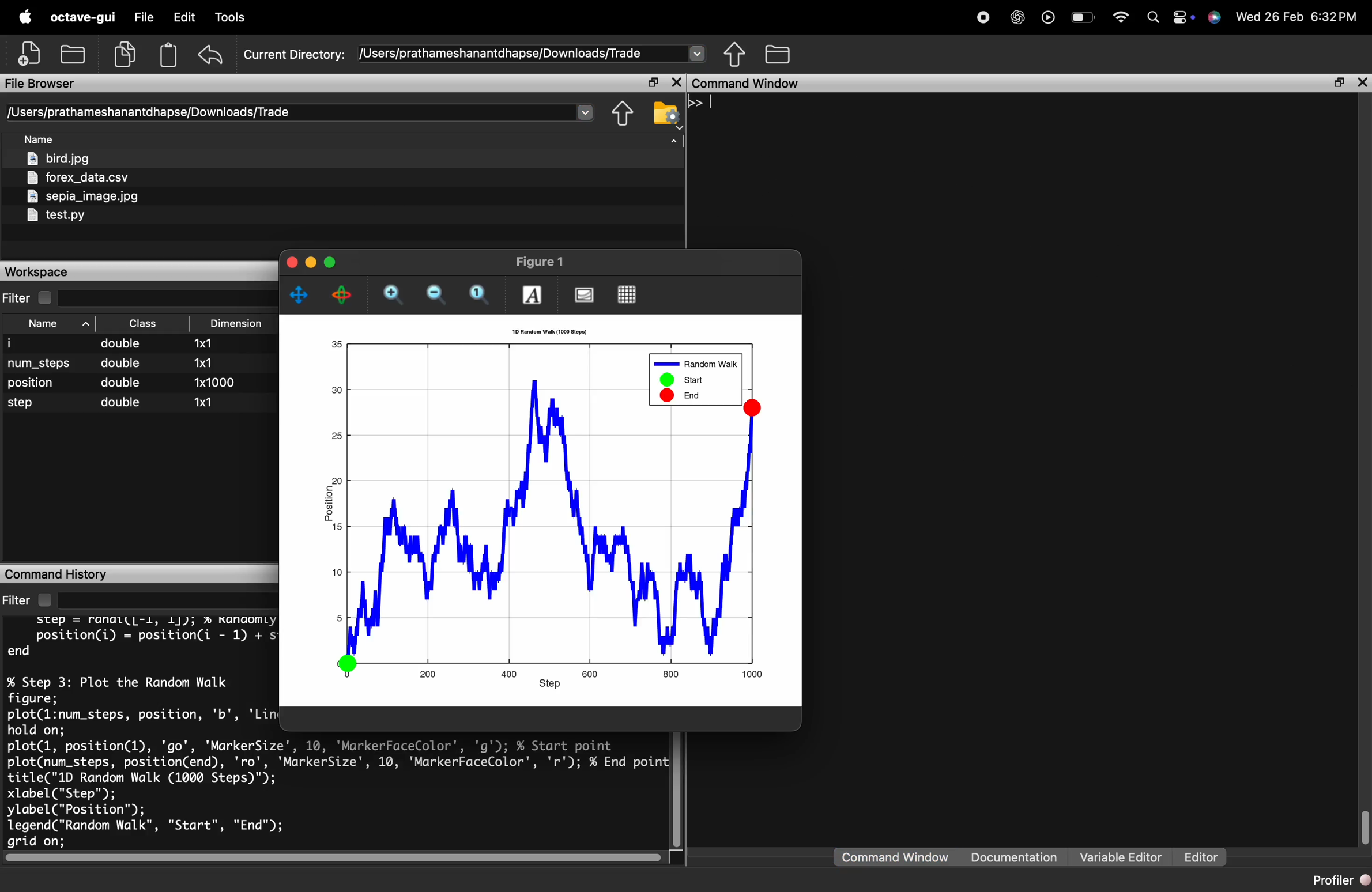 The height and width of the screenshot is (892, 1372). Describe the element at coordinates (651, 83) in the screenshot. I see `maximize` at that location.